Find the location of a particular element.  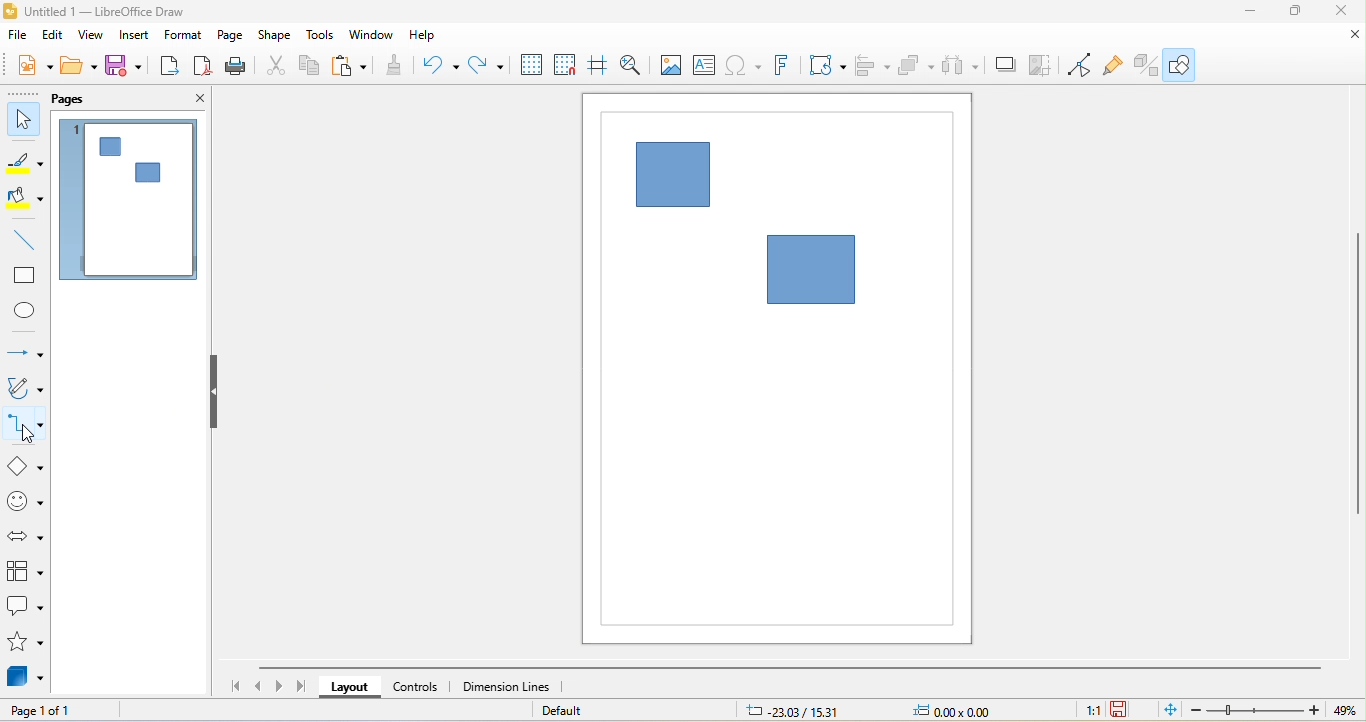

print is located at coordinates (237, 68).